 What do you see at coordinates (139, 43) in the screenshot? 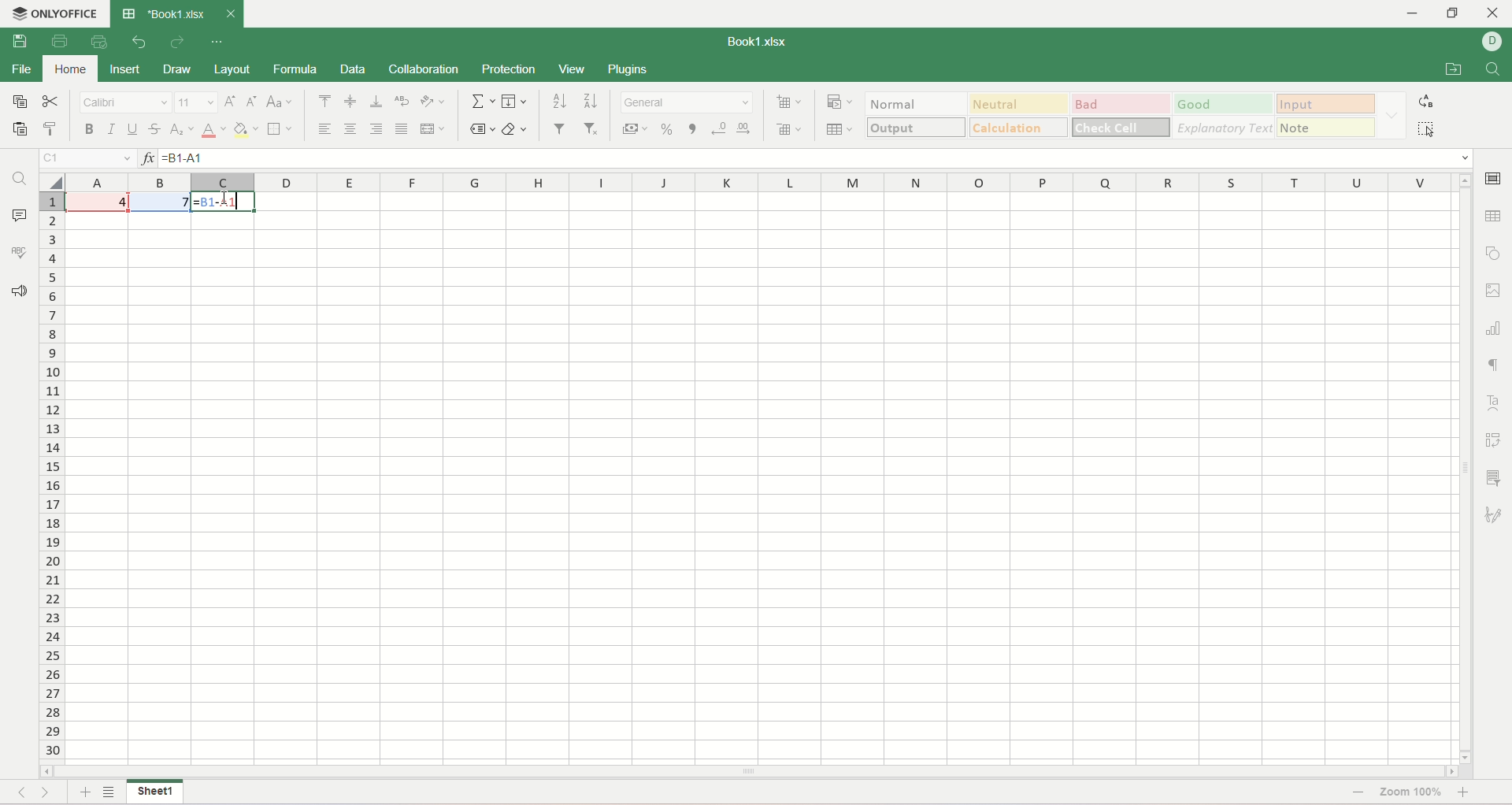
I see `undo` at bounding box center [139, 43].